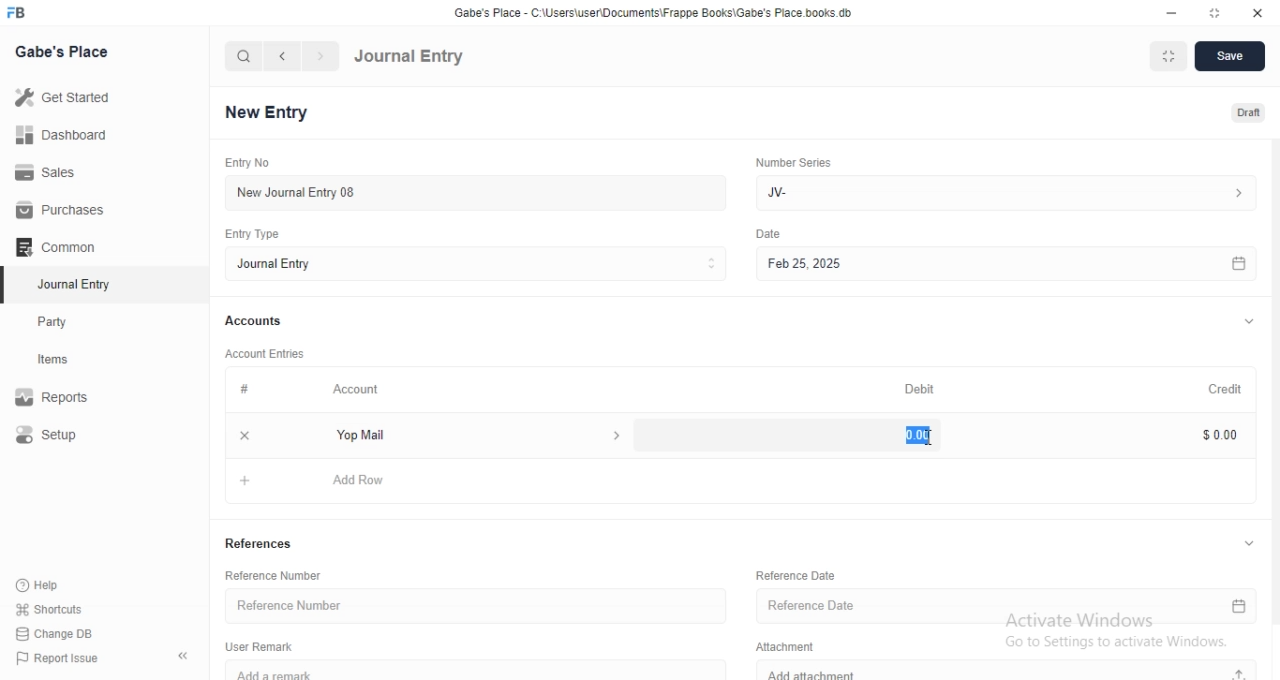  Describe the element at coordinates (471, 606) in the screenshot. I see `Reference Number` at that location.